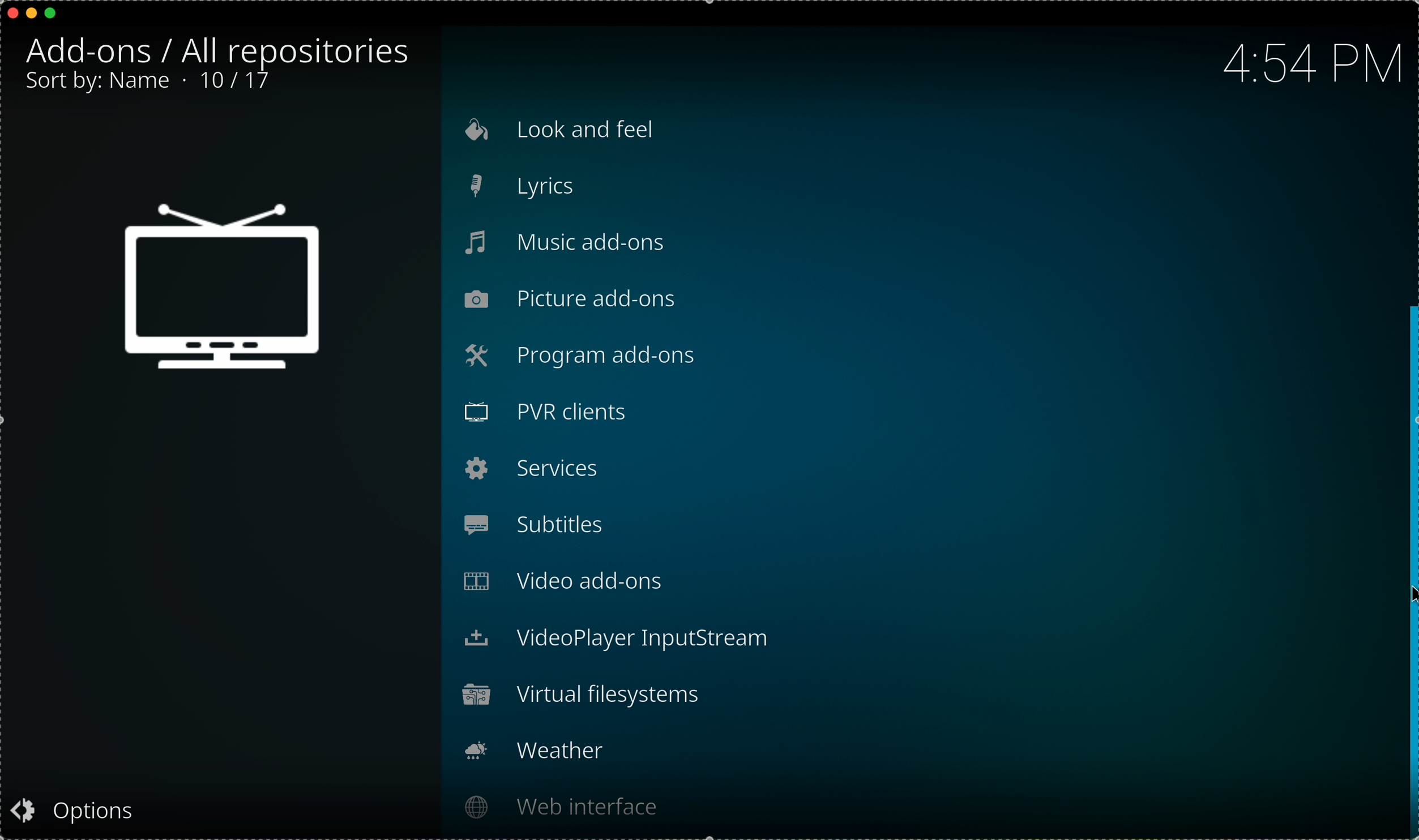  I want to click on video add-ons, so click(567, 581).